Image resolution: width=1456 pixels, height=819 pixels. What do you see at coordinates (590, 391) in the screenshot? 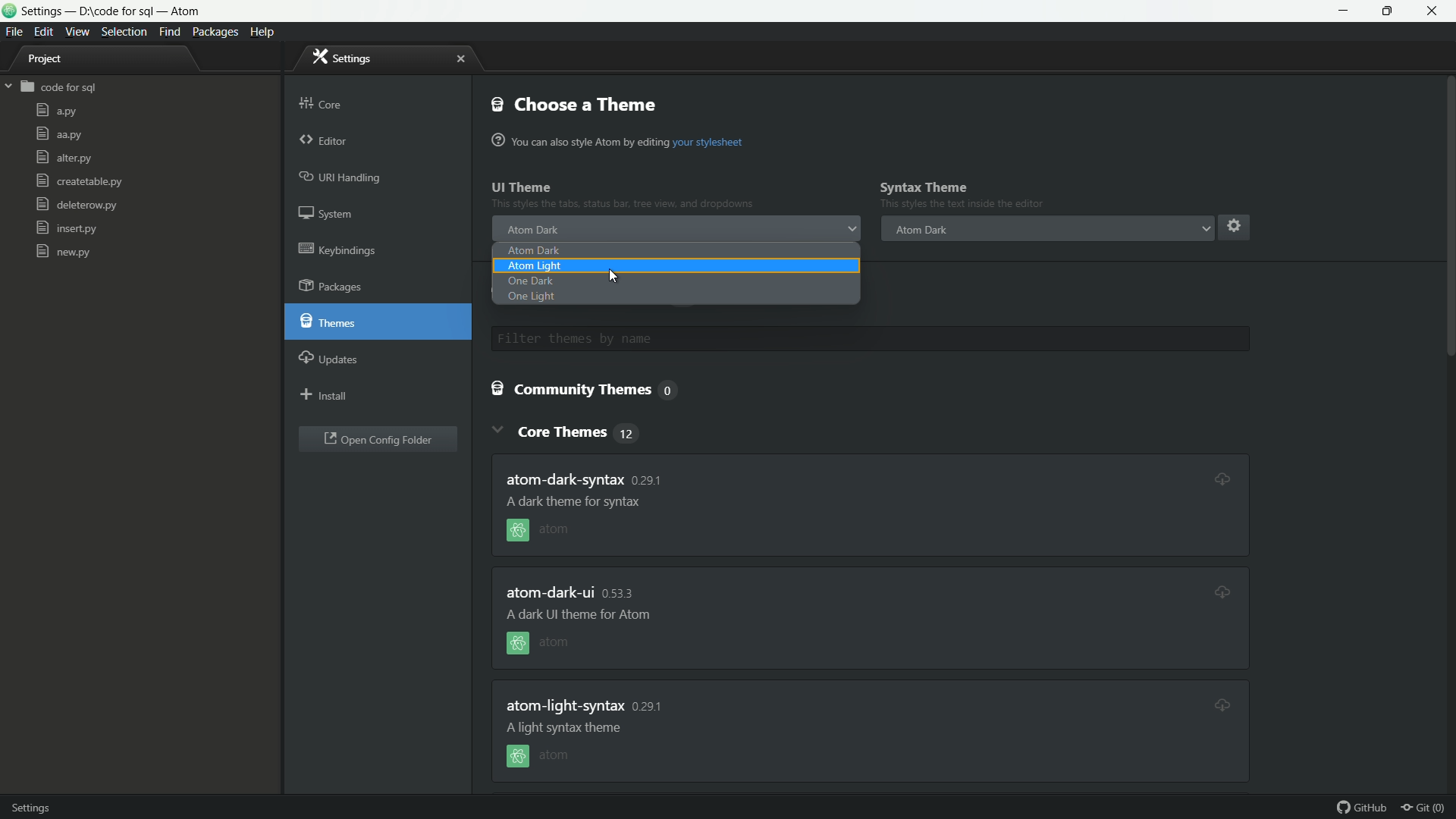
I see `community theme` at bounding box center [590, 391].